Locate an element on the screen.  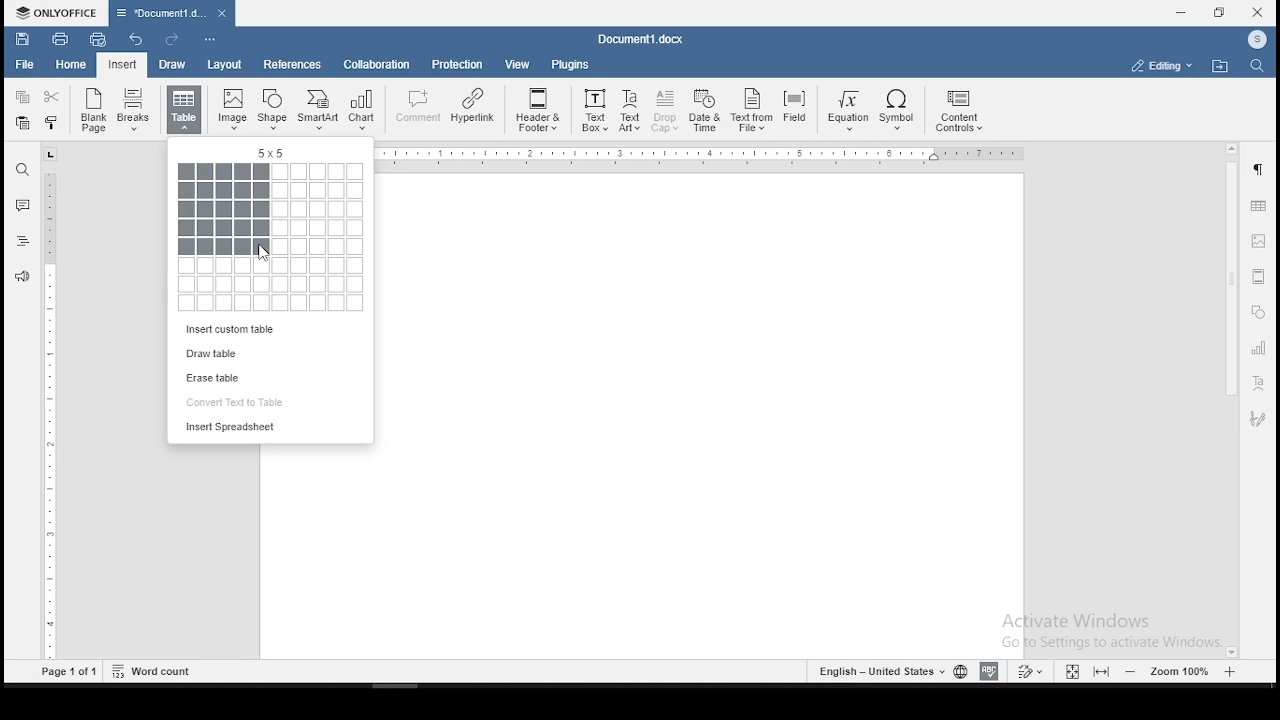
protection is located at coordinates (459, 64).